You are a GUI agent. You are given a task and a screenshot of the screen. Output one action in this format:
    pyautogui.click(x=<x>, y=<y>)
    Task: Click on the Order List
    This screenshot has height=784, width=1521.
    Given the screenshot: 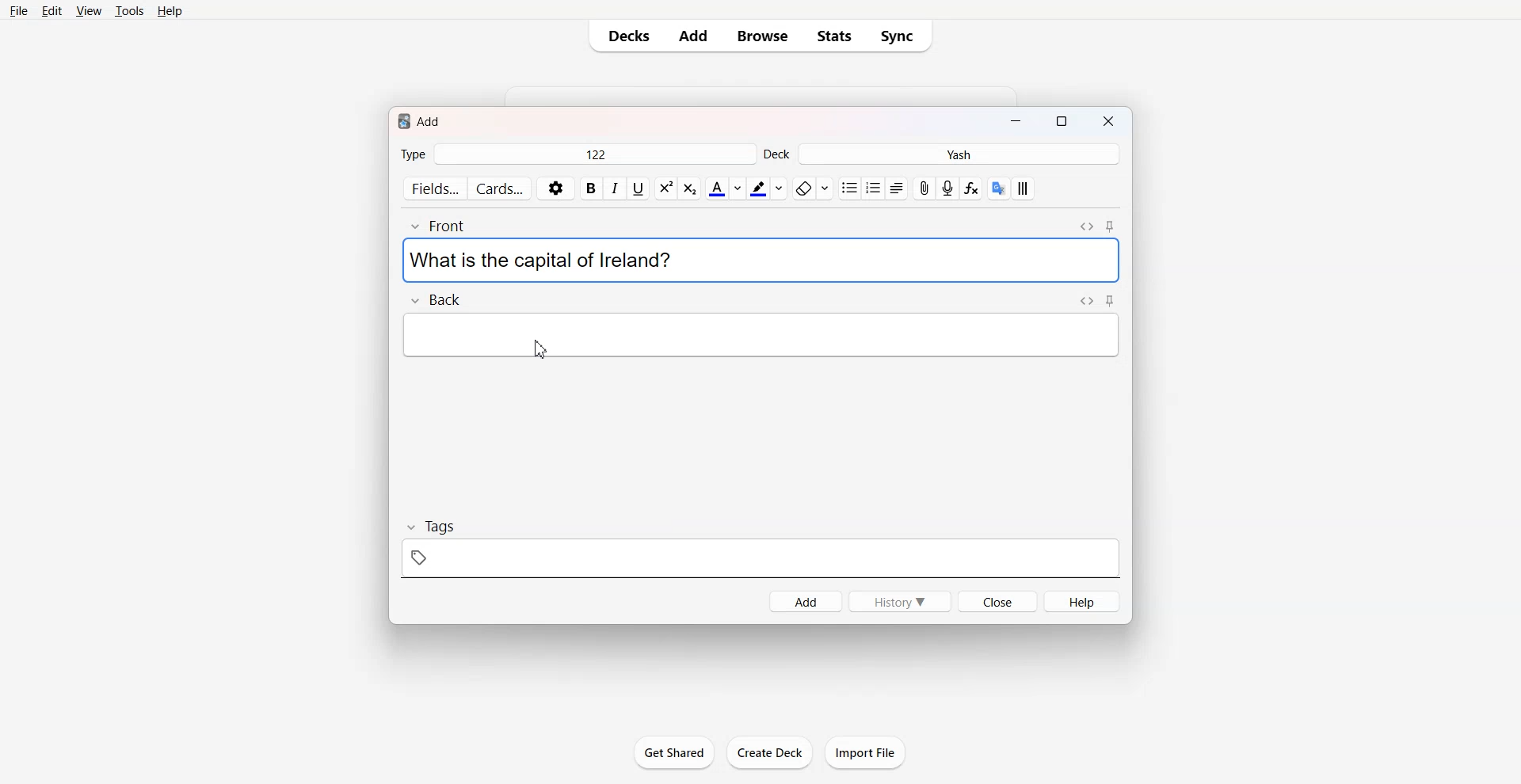 What is the action you would take?
    pyautogui.click(x=873, y=188)
    